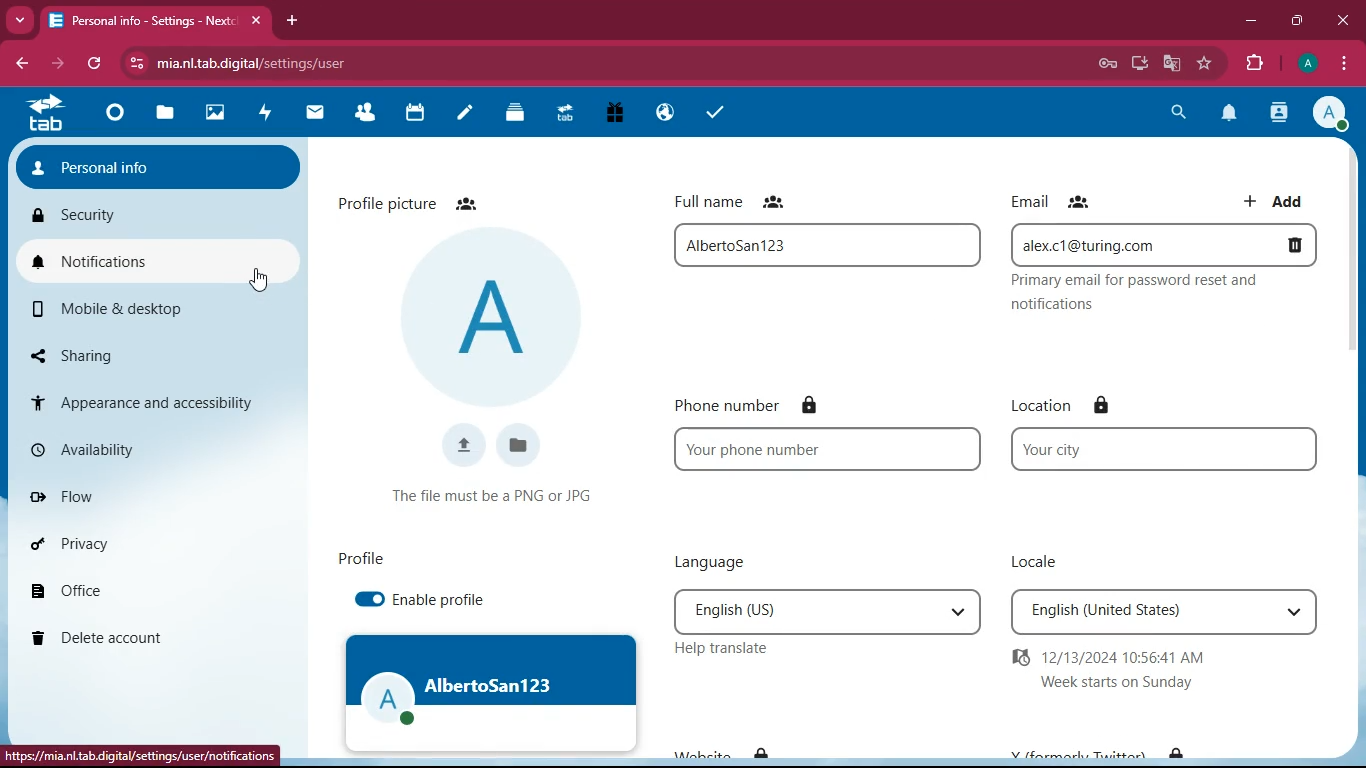 The image size is (1366, 768). What do you see at coordinates (155, 216) in the screenshot?
I see `security` at bounding box center [155, 216].